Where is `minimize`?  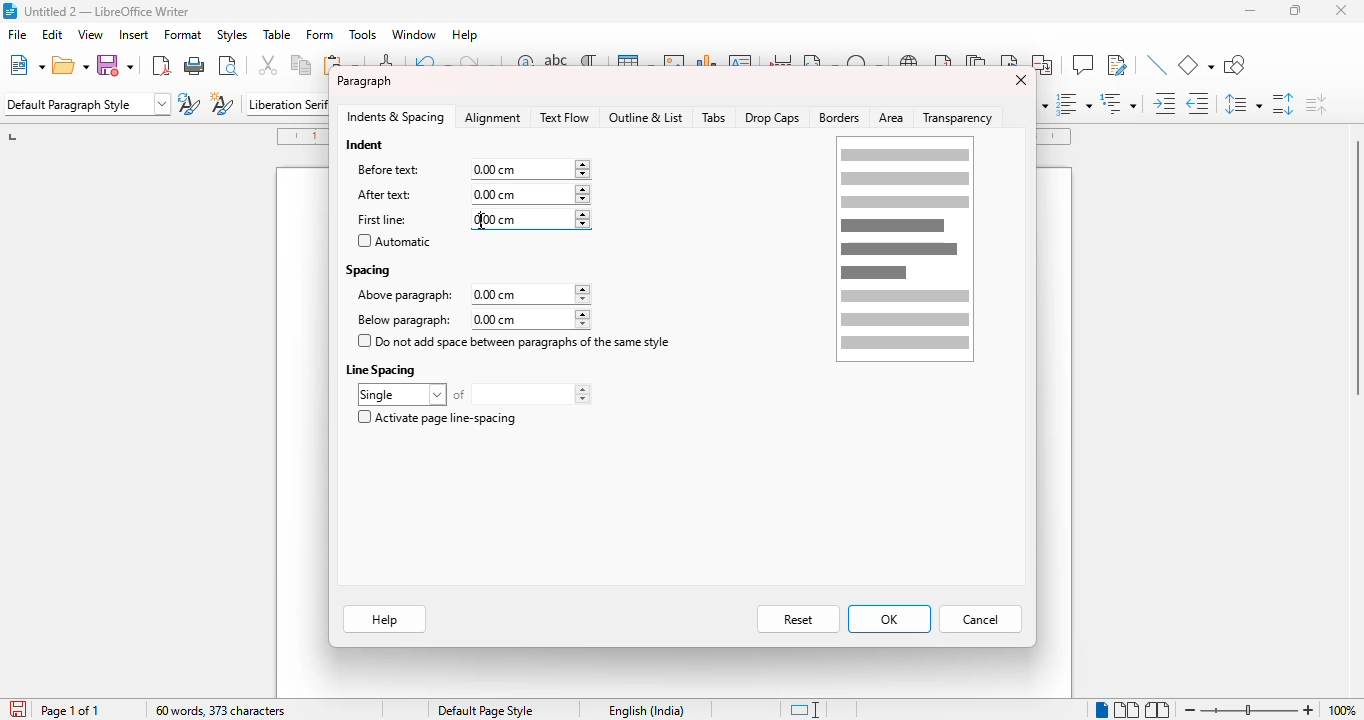 minimize is located at coordinates (1251, 11).